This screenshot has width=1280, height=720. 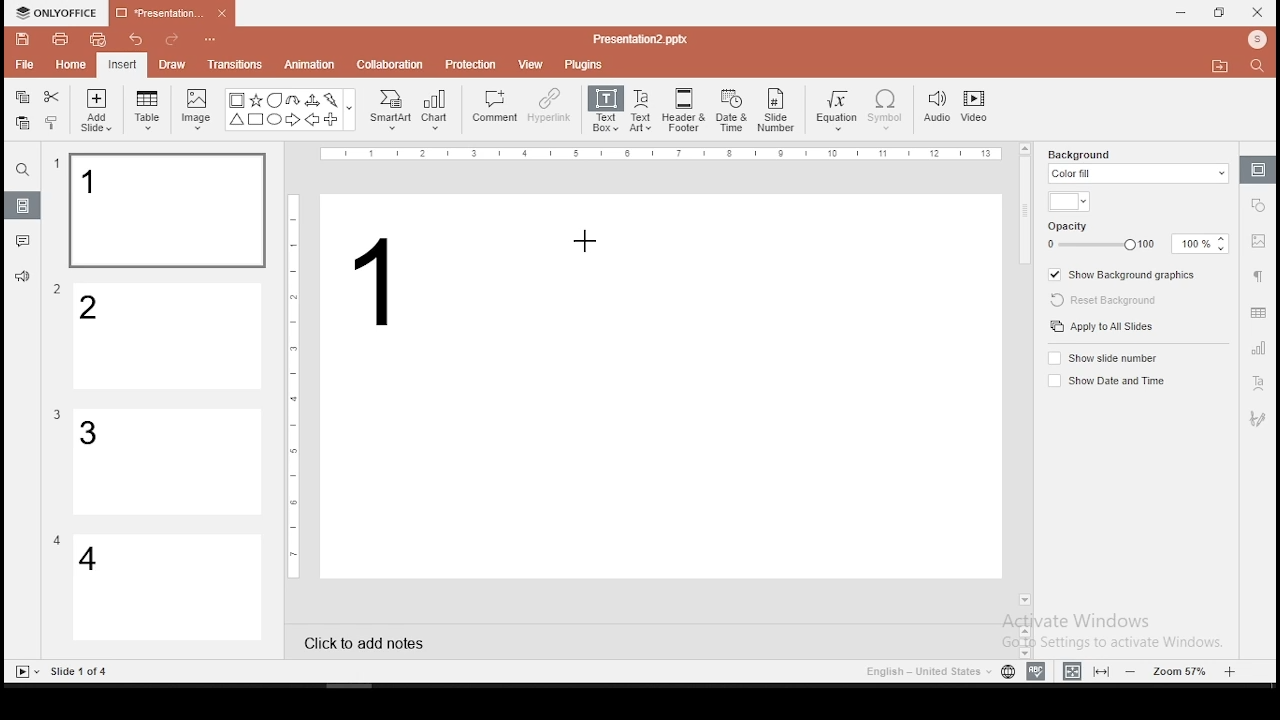 I want to click on shape settings, so click(x=1259, y=203).